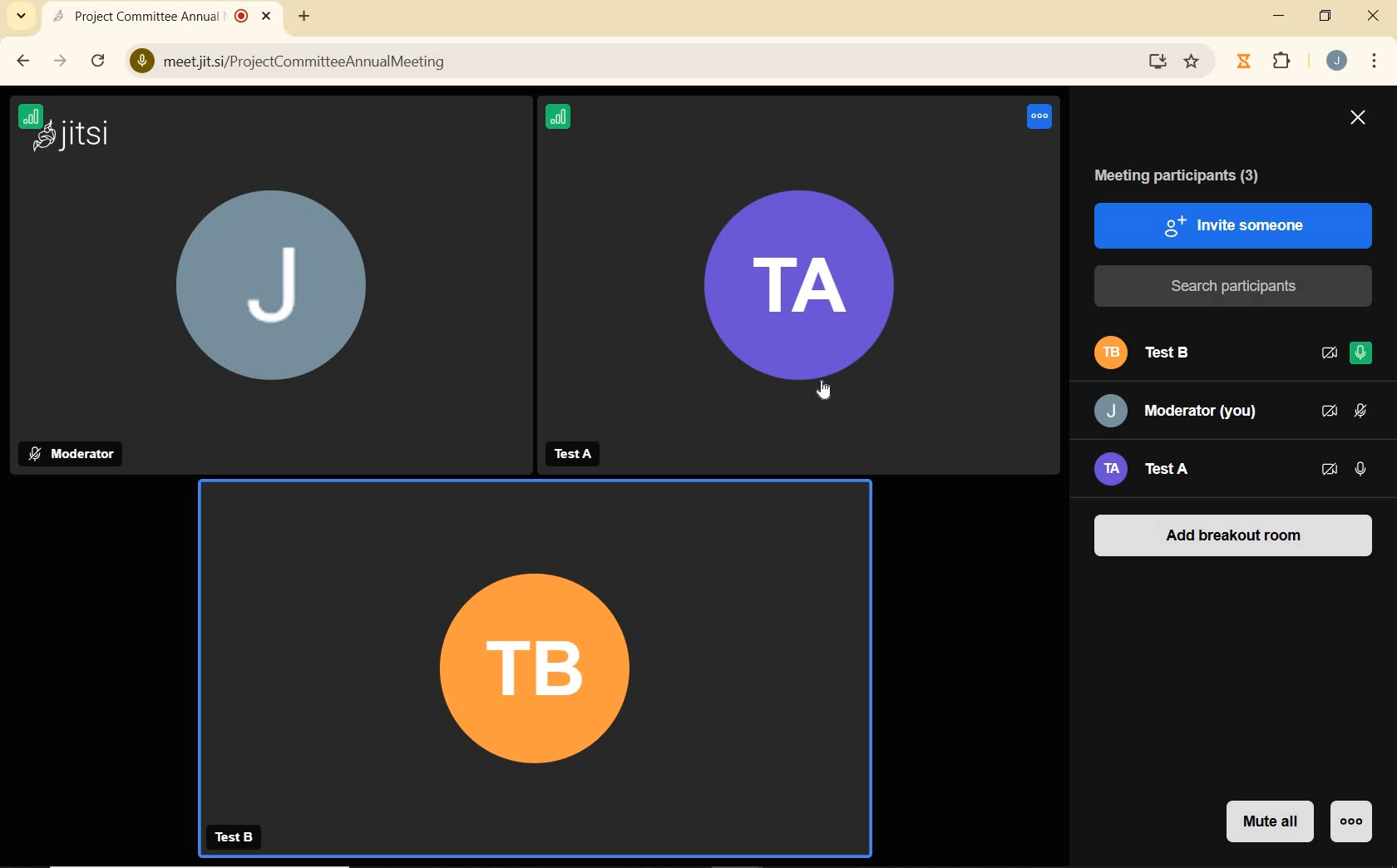 Image resolution: width=1397 pixels, height=868 pixels. What do you see at coordinates (1362, 470) in the screenshot?
I see `MICROPHONE` at bounding box center [1362, 470].